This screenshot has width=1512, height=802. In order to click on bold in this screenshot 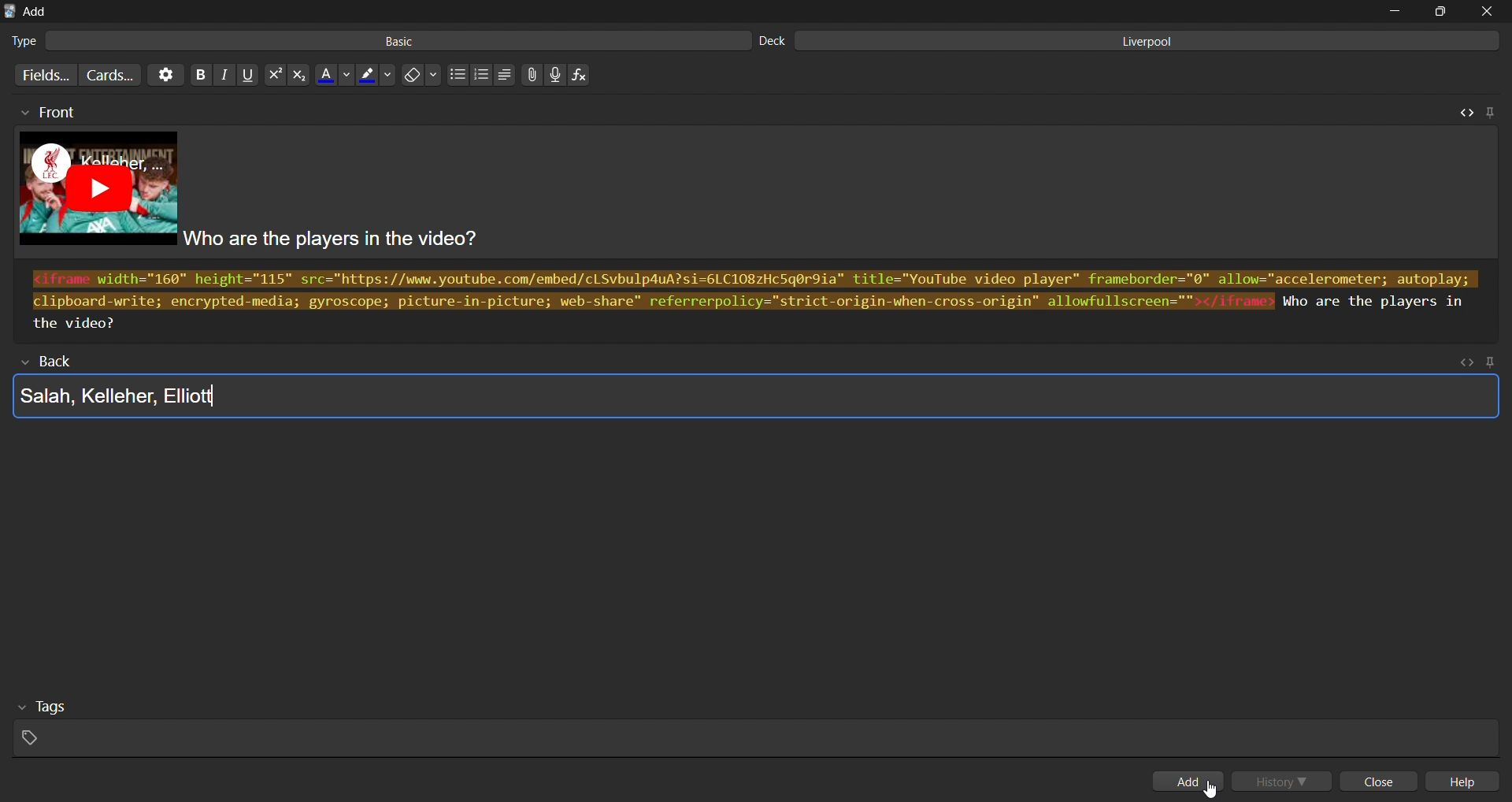, I will do `click(198, 76)`.